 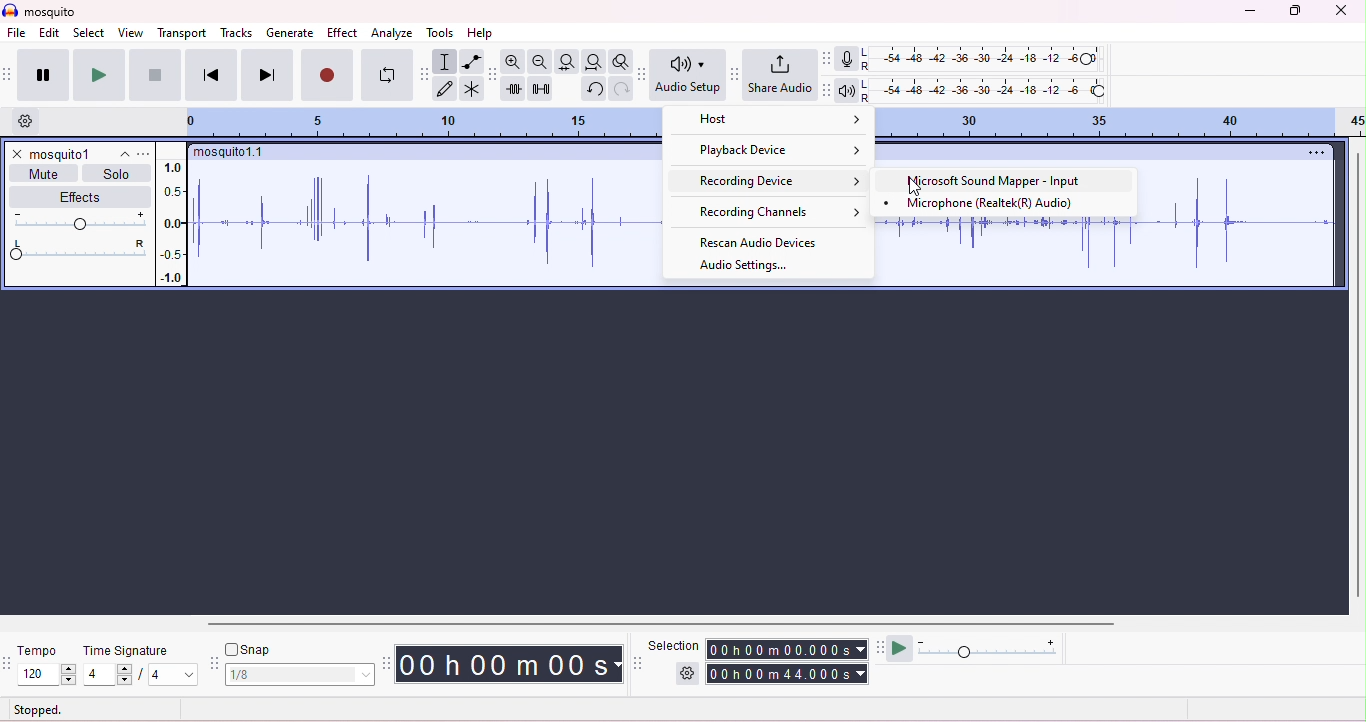 I want to click on silence selection, so click(x=542, y=90).